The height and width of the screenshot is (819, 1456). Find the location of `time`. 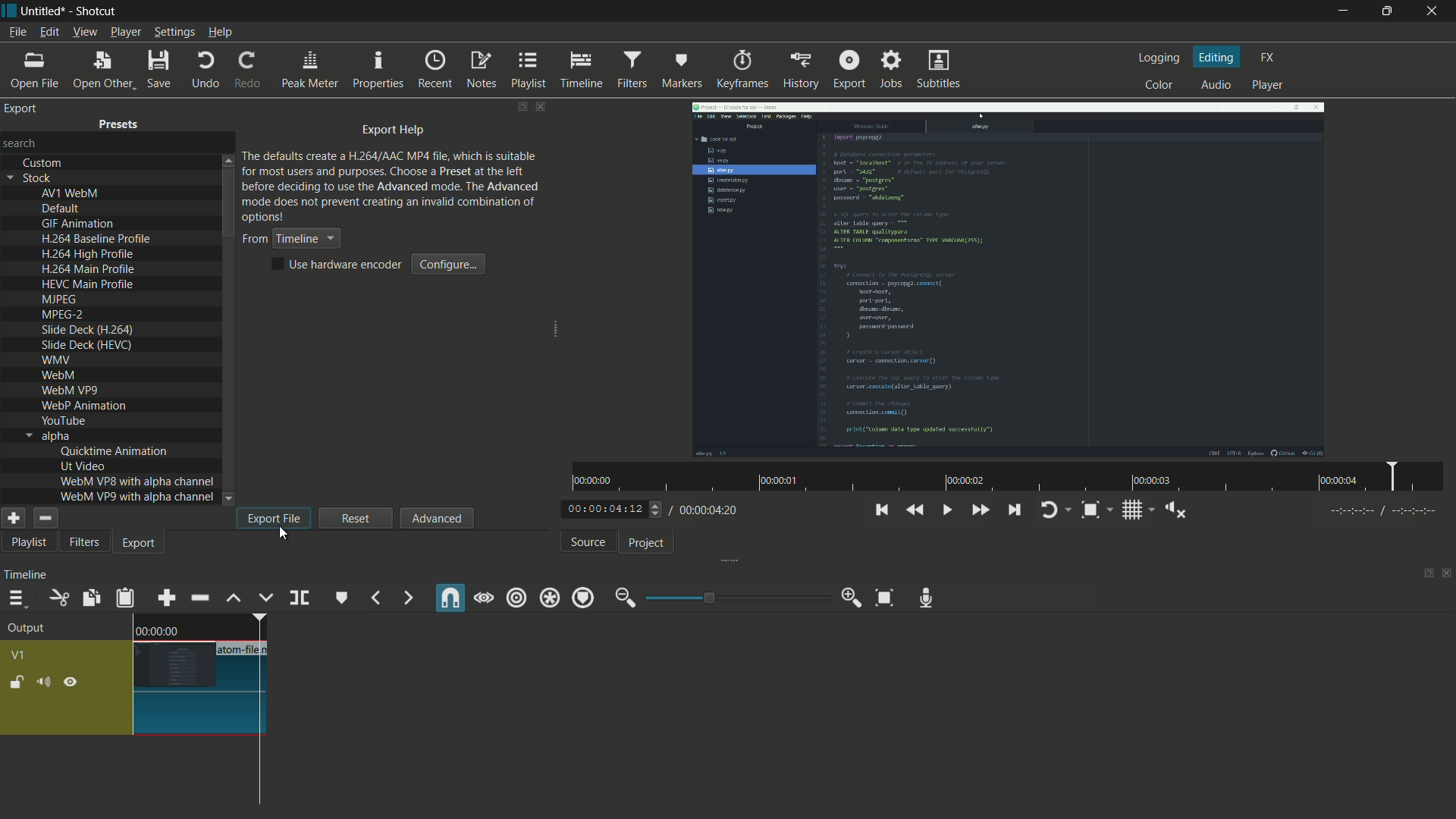

time is located at coordinates (1012, 477).